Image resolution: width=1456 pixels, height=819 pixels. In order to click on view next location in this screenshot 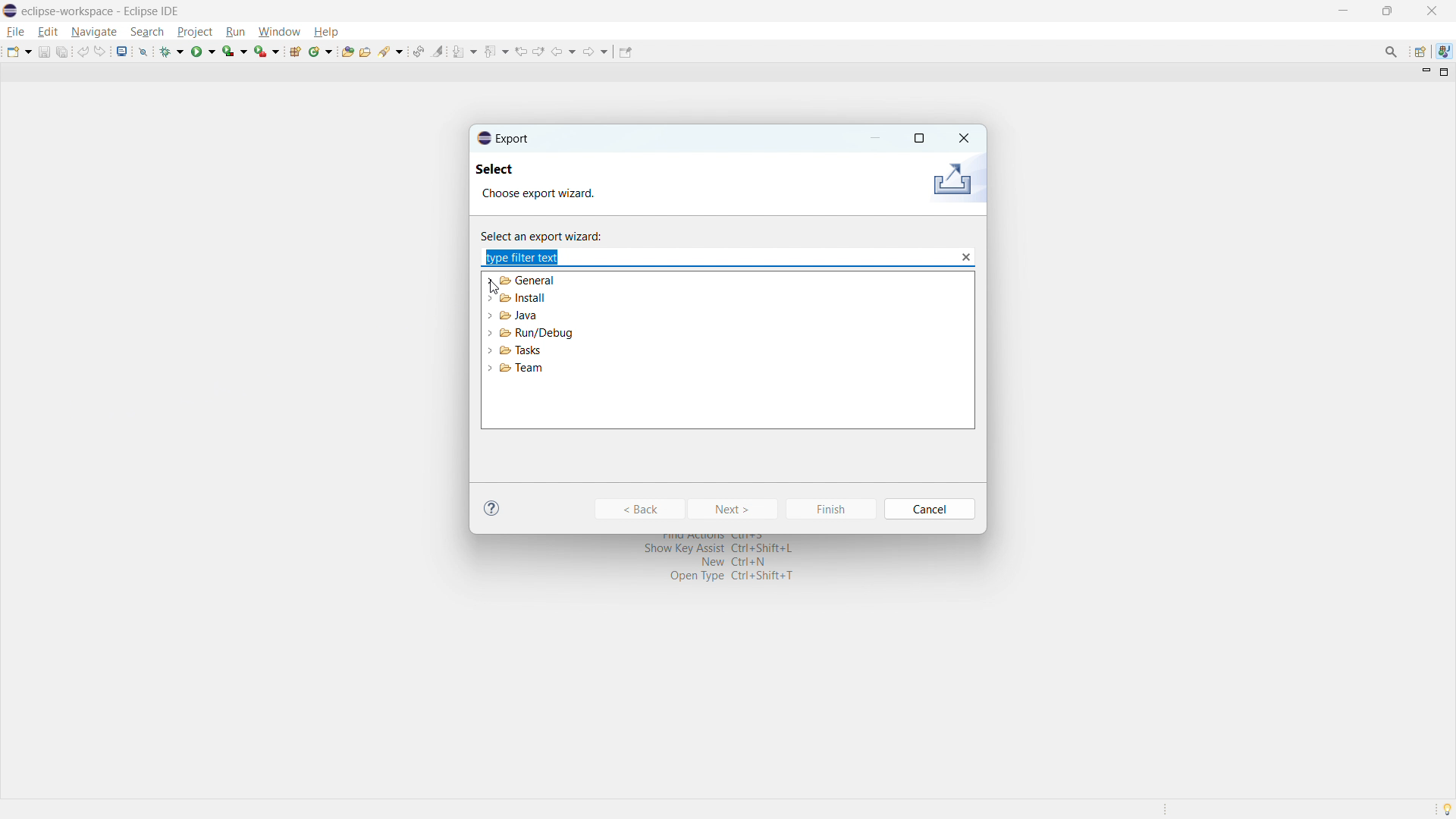, I will do `click(539, 51)`.